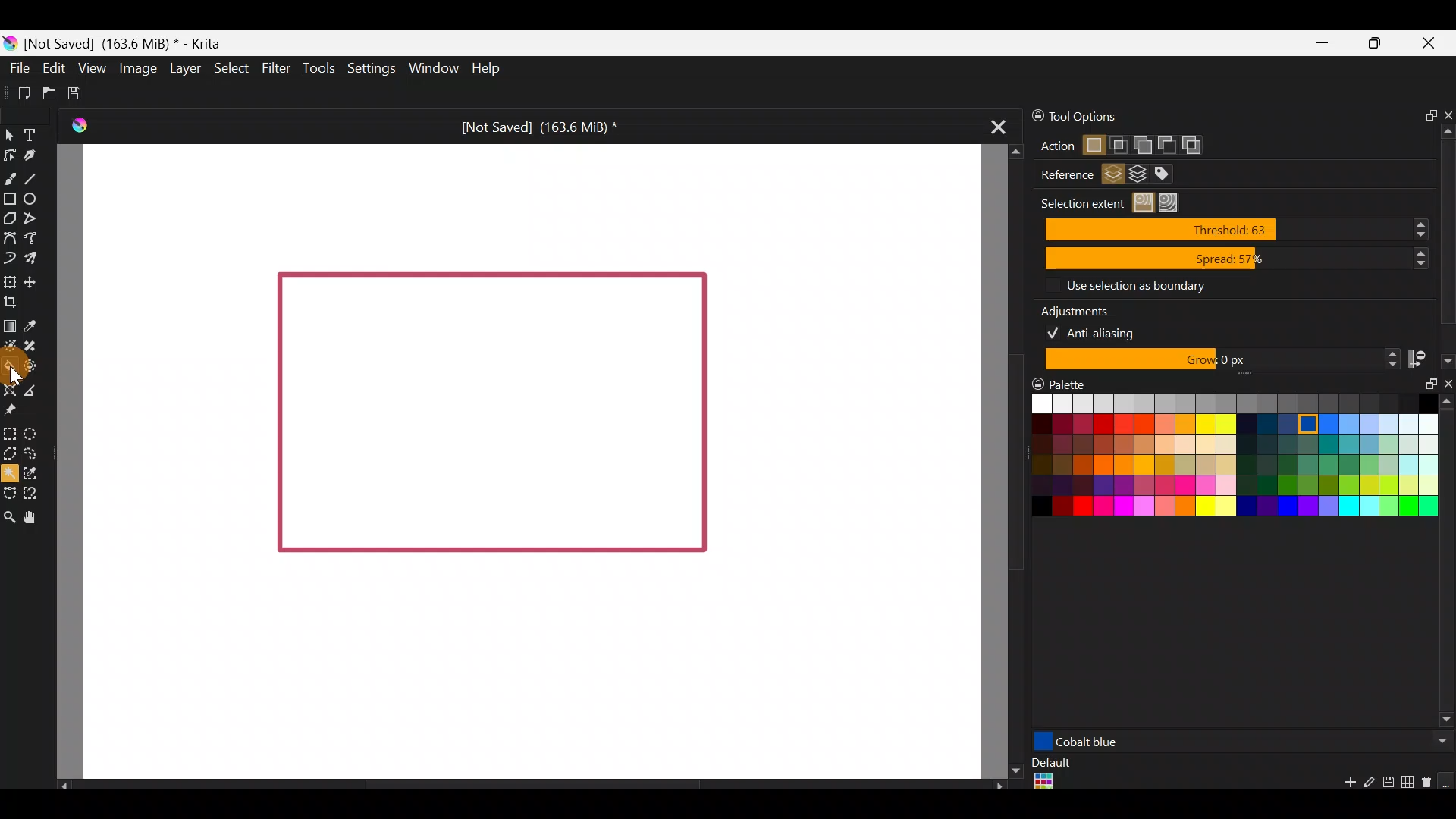  Describe the element at coordinates (537, 124) in the screenshot. I see `[Not Saved] (163.6 MiB) *` at that location.